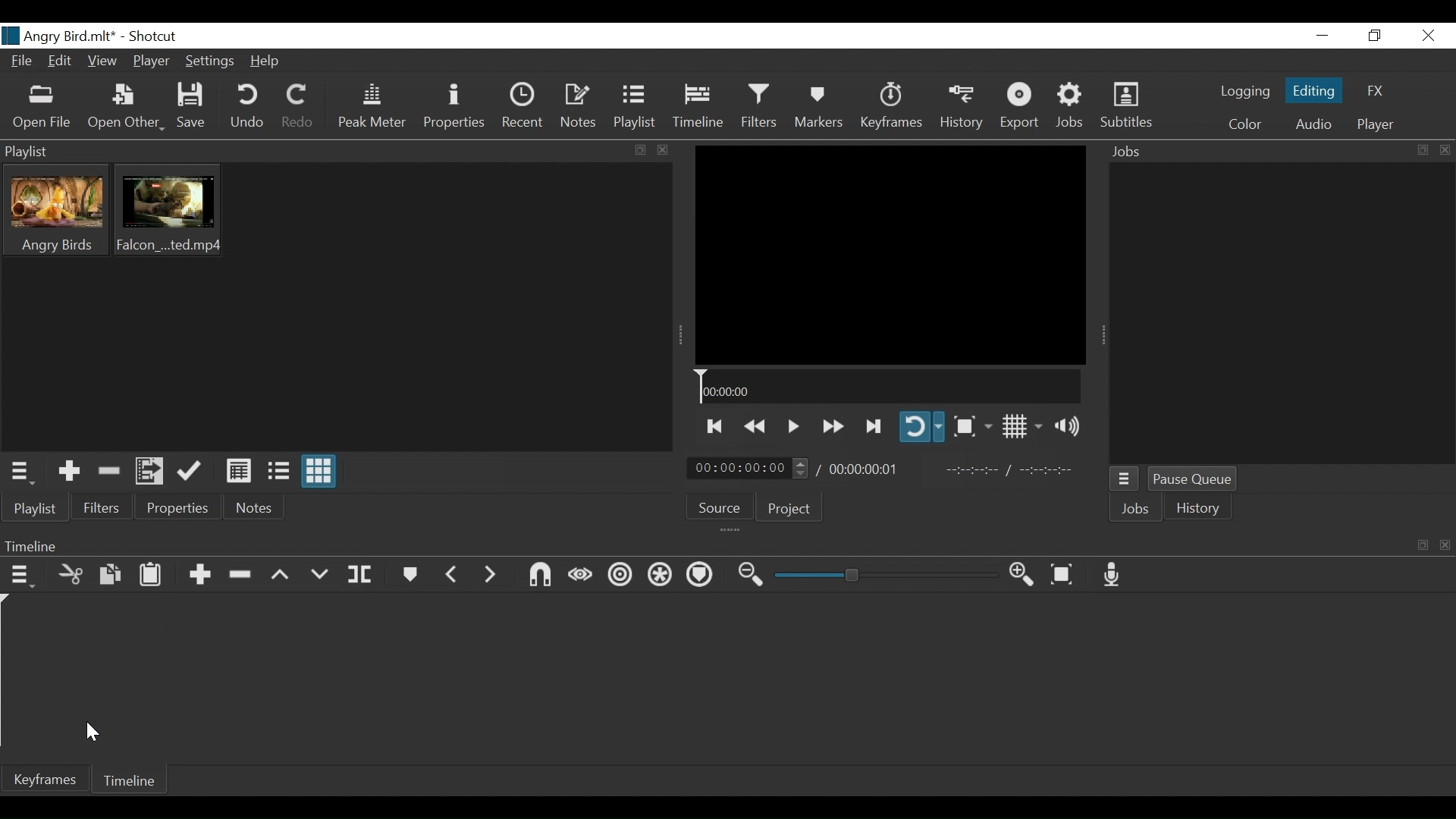 This screenshot has height=819, width=1456. What do you see at coordinates (1200, 507) in the screenshot?
I see `istory` at bounding box center [1200, 507].